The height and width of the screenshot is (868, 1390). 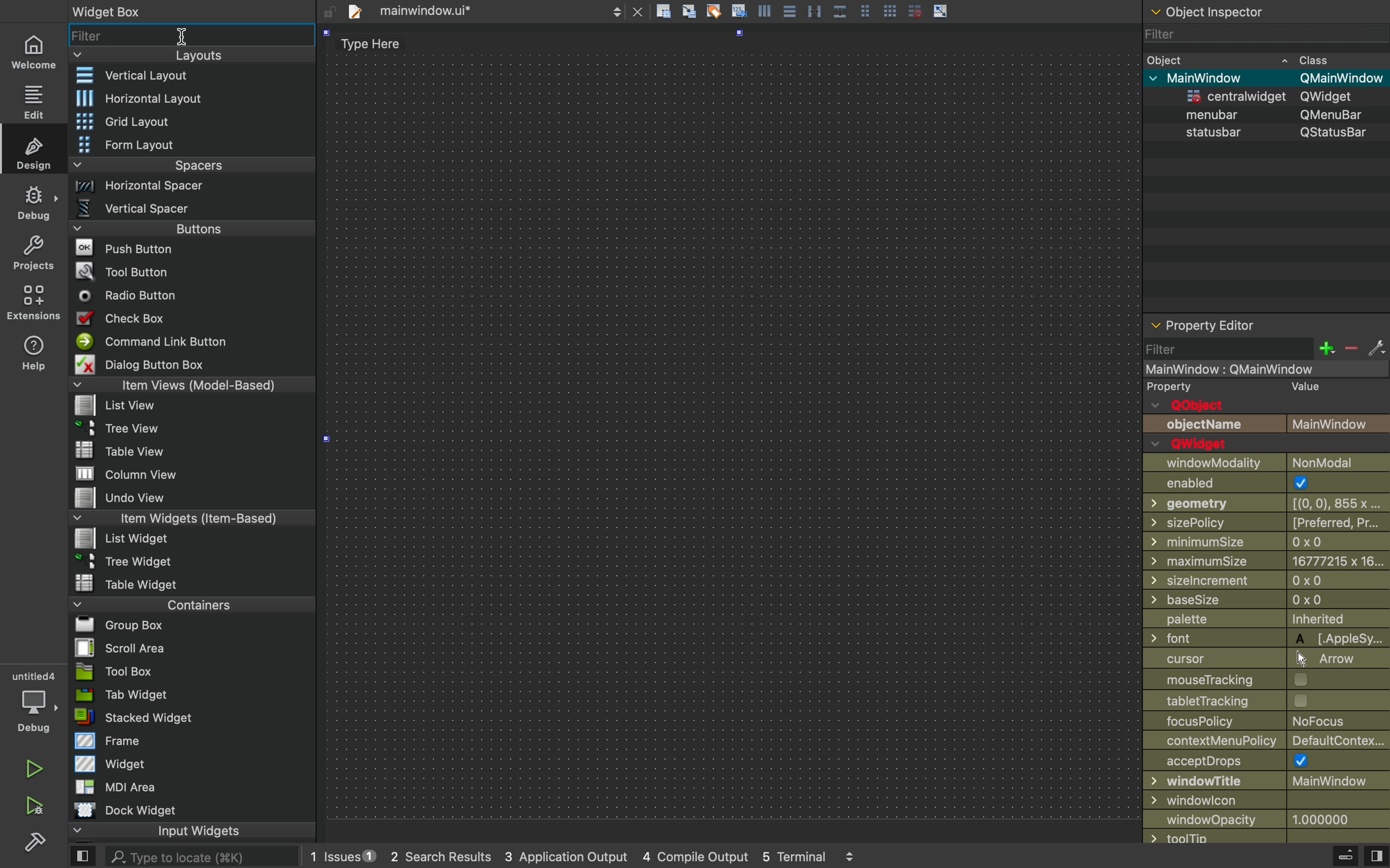 What do you see at coordinates (1267, 349) in the screenshot?
I see `filter` at bounding box center [1267, 349].